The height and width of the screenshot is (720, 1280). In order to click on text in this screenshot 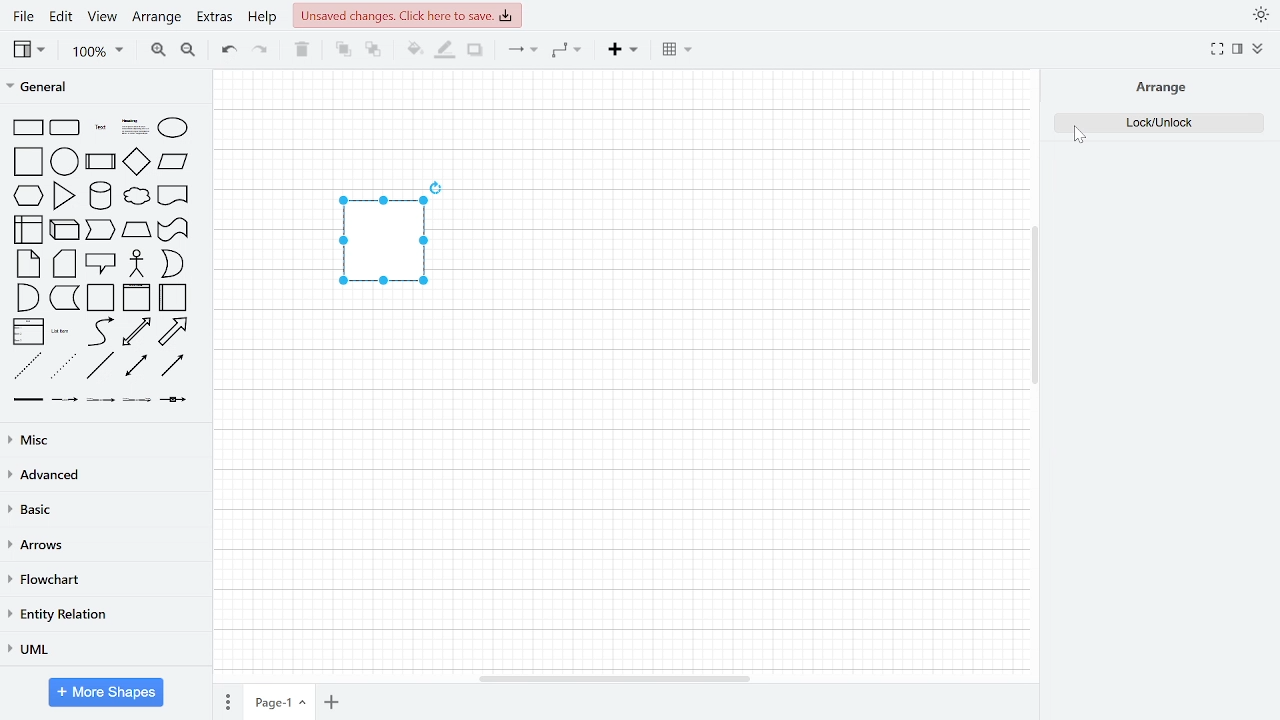, I will do `click(100, 127)`.